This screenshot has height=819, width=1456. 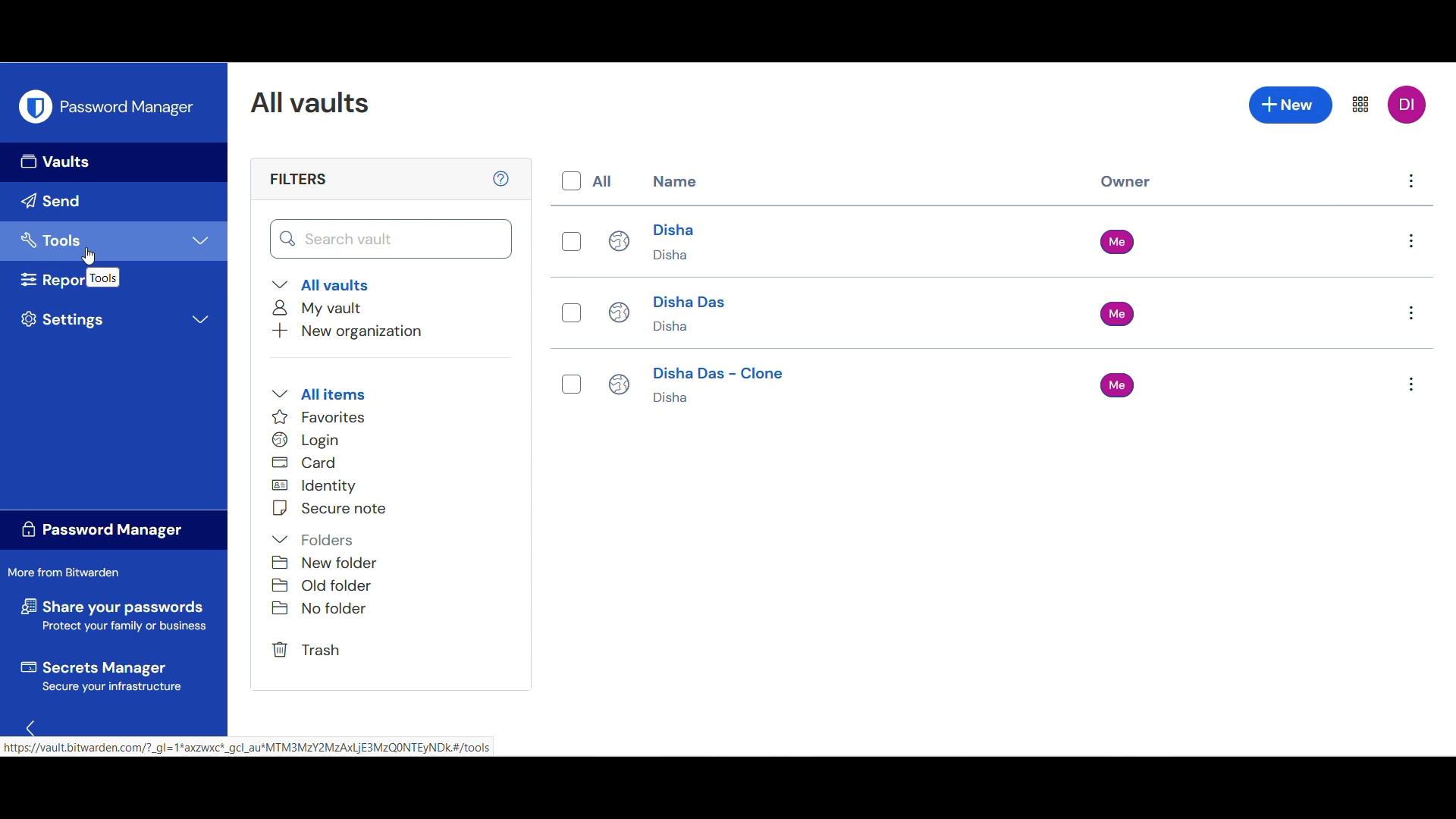 I want to click on Name column, so click(x=675, y=181).